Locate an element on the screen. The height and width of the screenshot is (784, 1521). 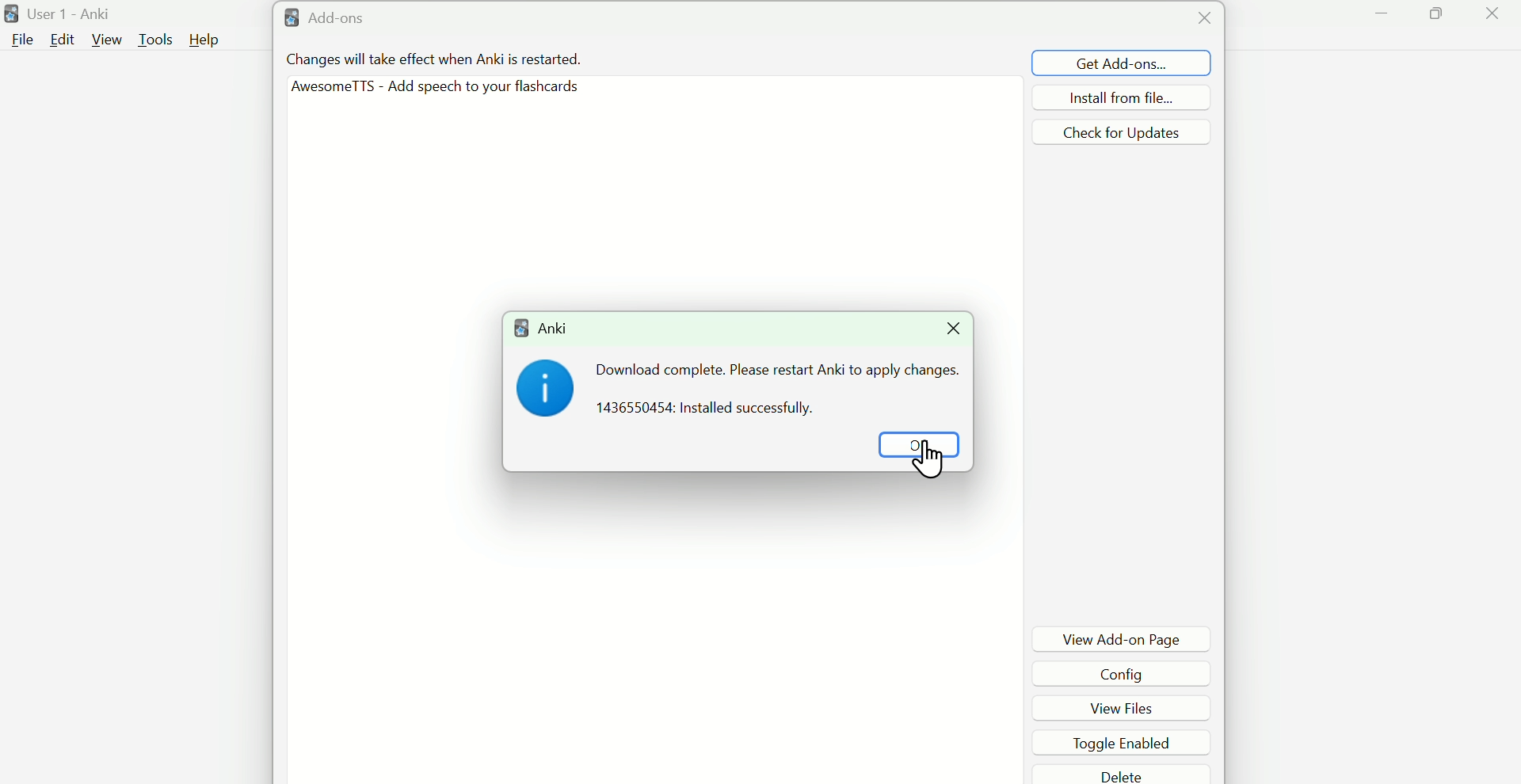
check for updates is located at coordinates (1122, 131).